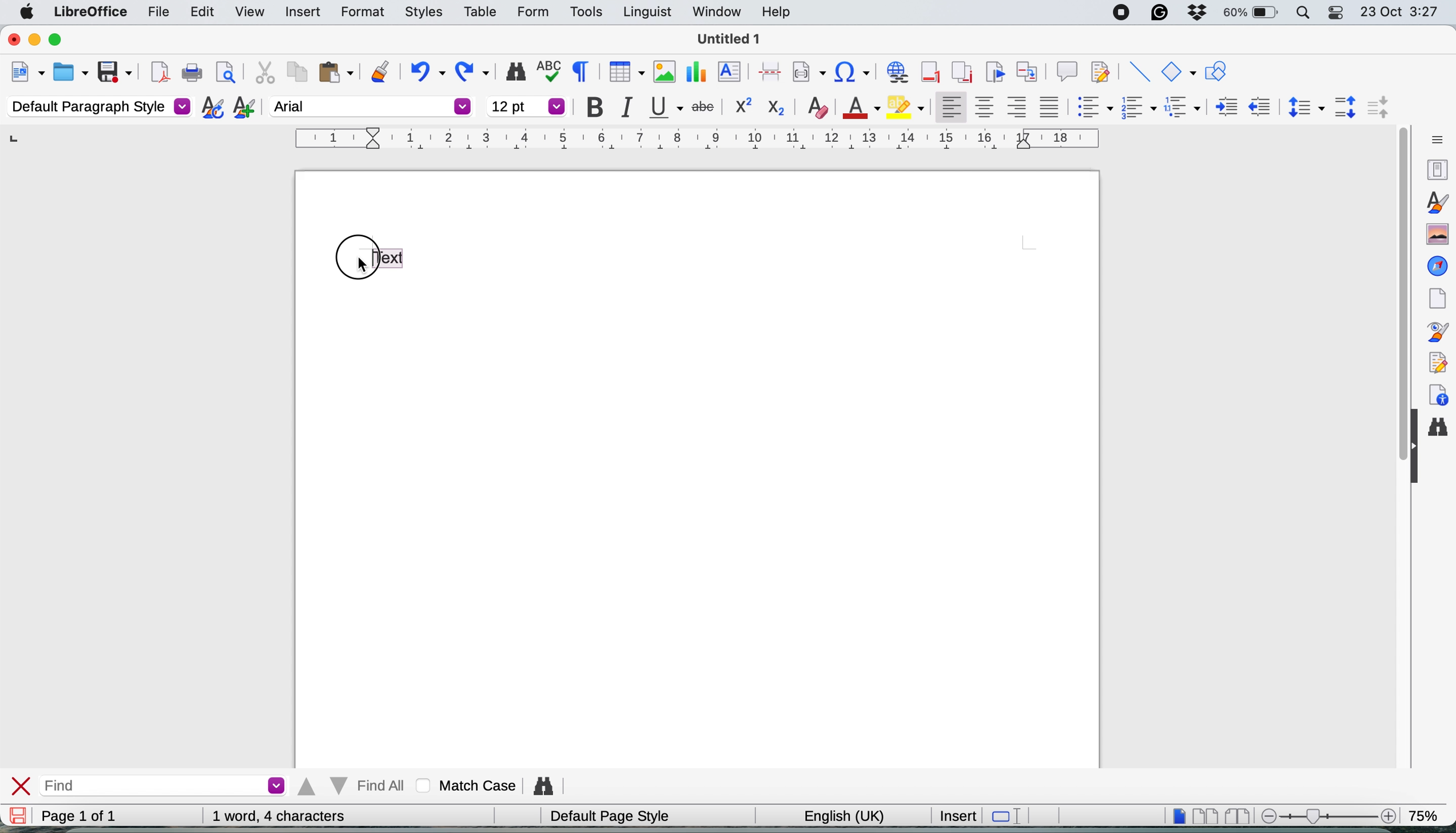 The image size is (1456, 833). Describe the element at coordinates (476, 72) in the screenshot. I see `redo` at that location.